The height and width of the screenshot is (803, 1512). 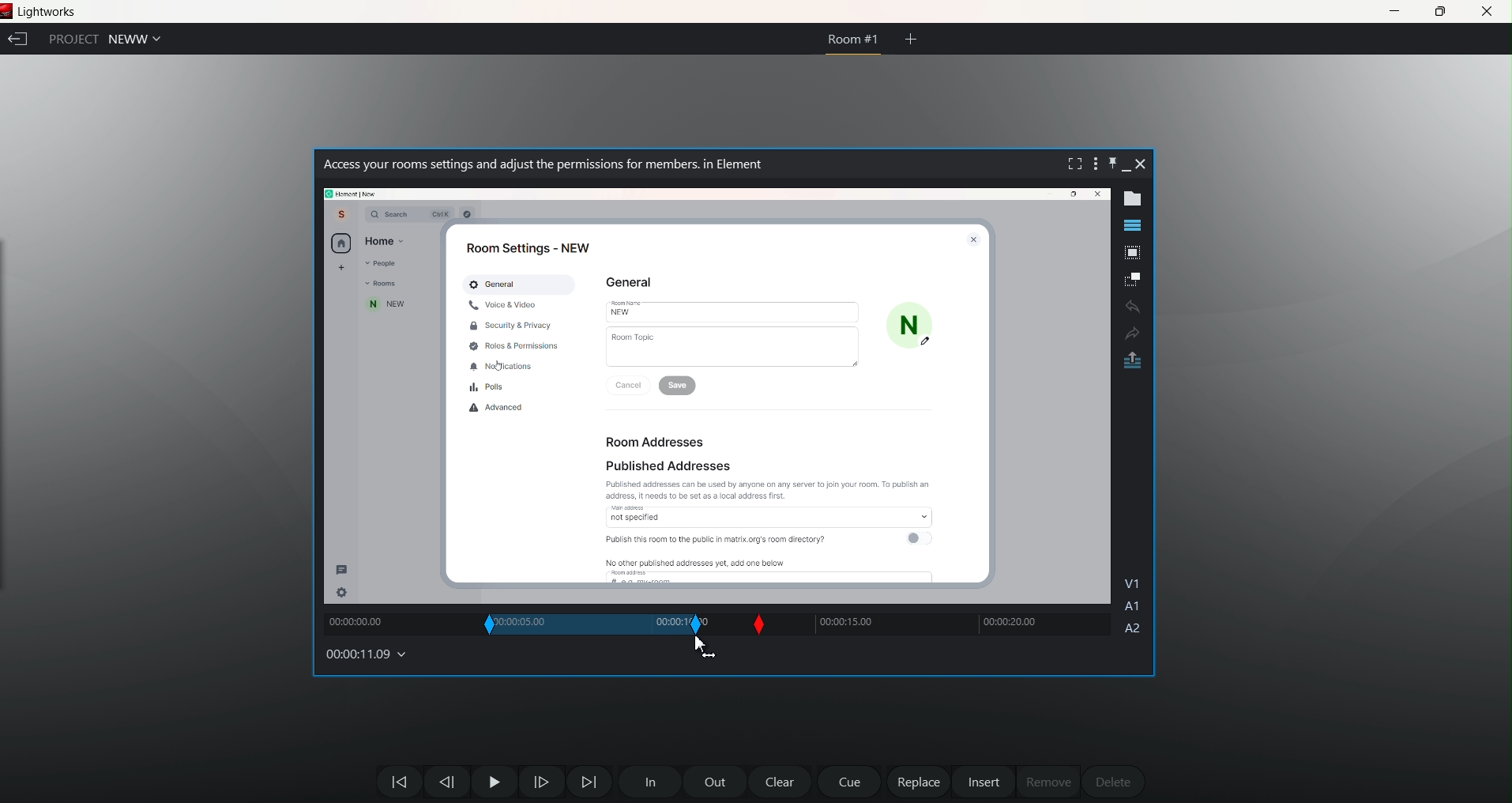 I want to click on fullscreen, so click(x=1071, y=164).